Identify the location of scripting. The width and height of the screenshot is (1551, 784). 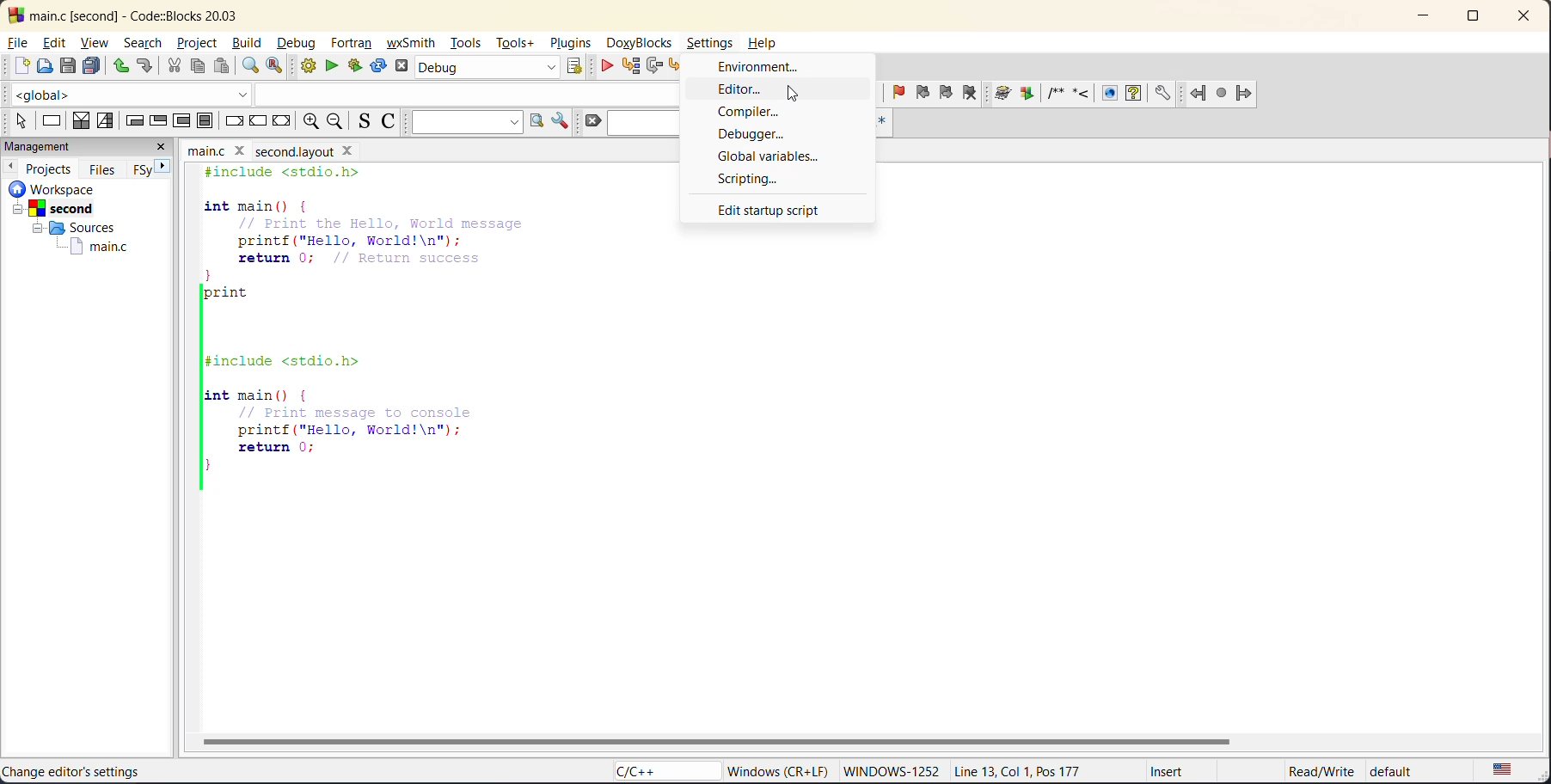
(757, 179).